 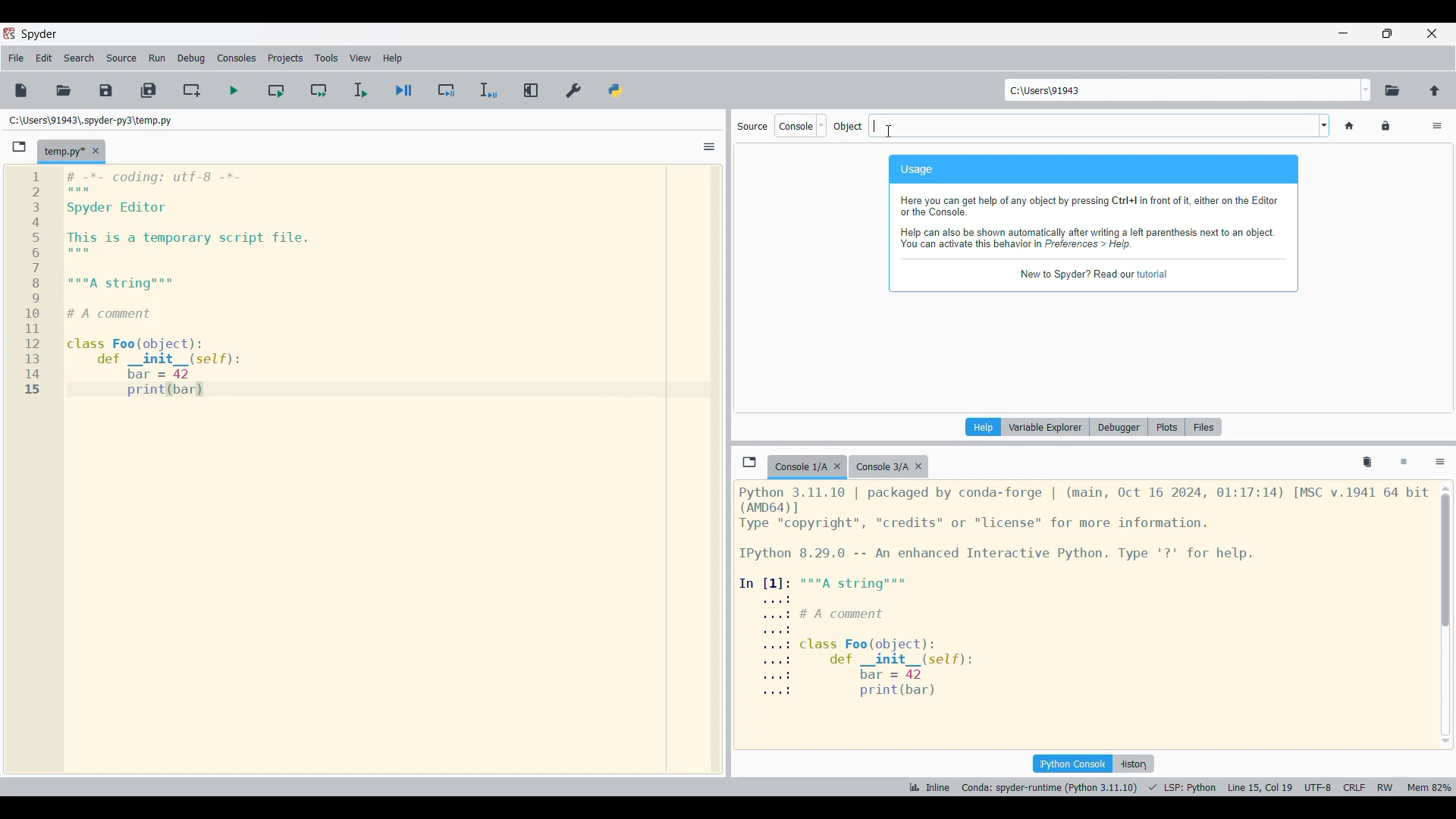 I want to click on Browse tab, so click(x=750, y=462).